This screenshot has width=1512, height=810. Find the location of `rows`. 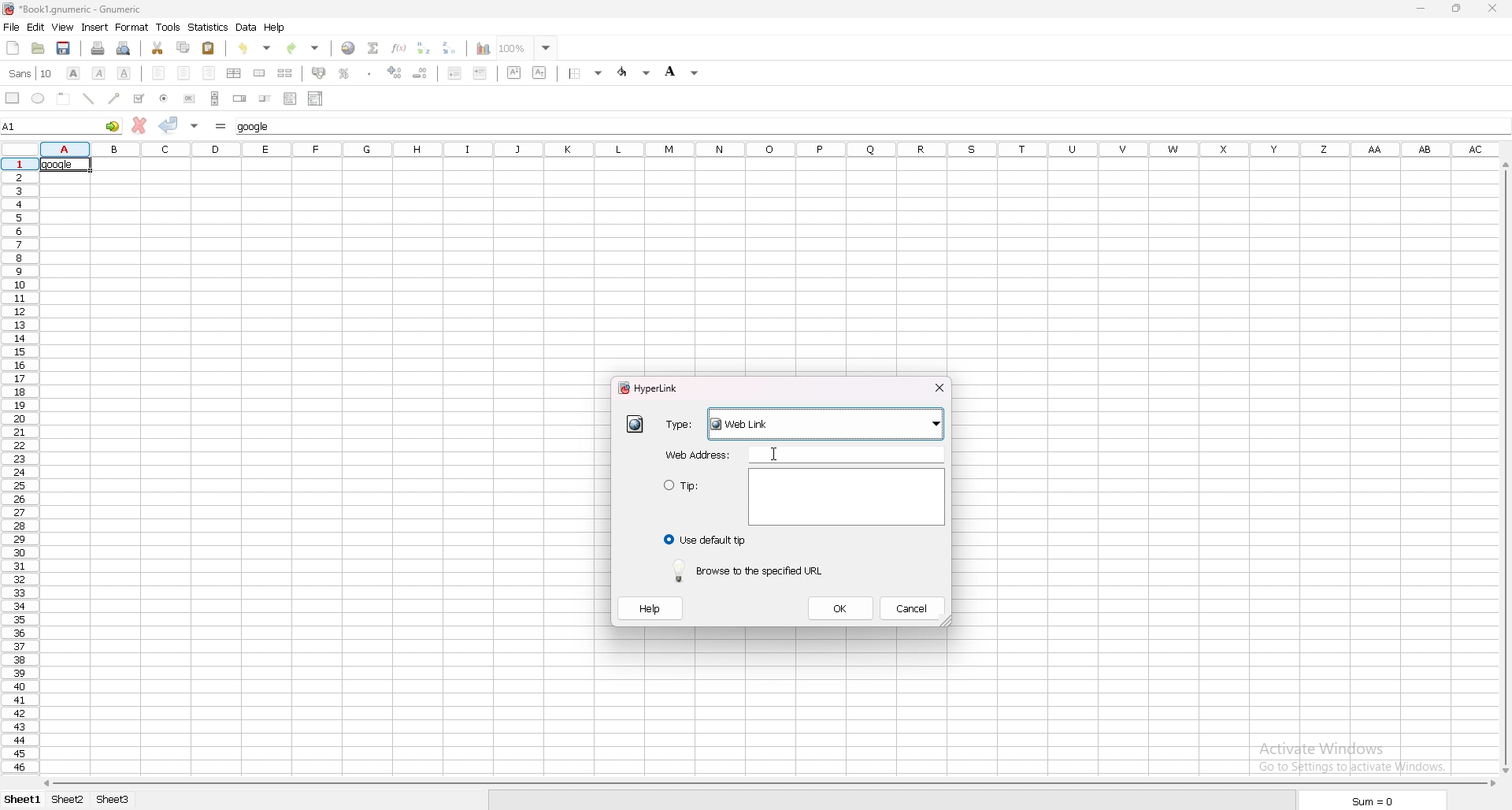

rows is located at coordinates (21, 466).